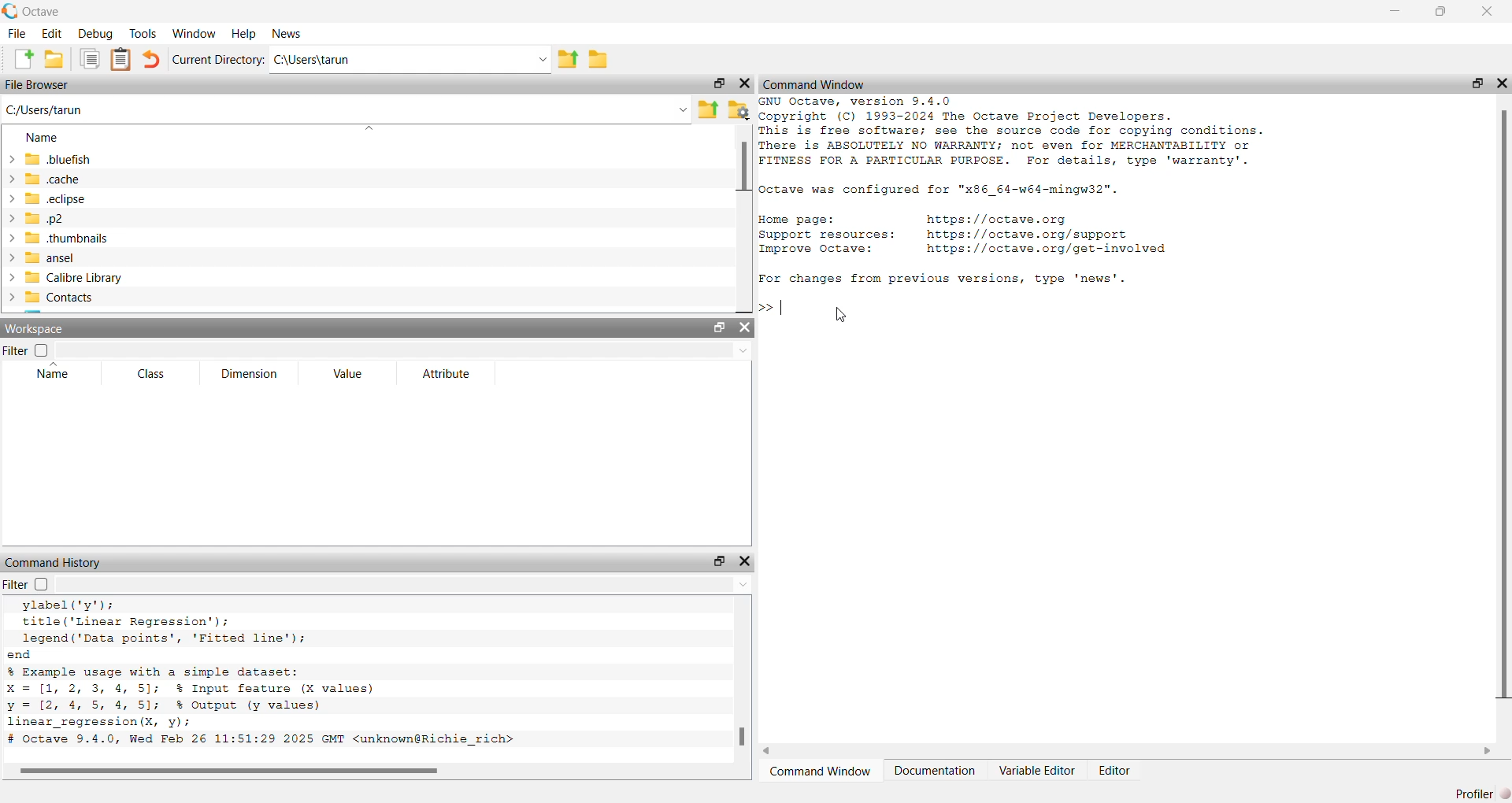 This screenshot has height=803, width=1512. What do you see at coordinates (1032, 134) in the screenshot?
I see `details of octave version and copyright` at bounding box center [1032, 134].